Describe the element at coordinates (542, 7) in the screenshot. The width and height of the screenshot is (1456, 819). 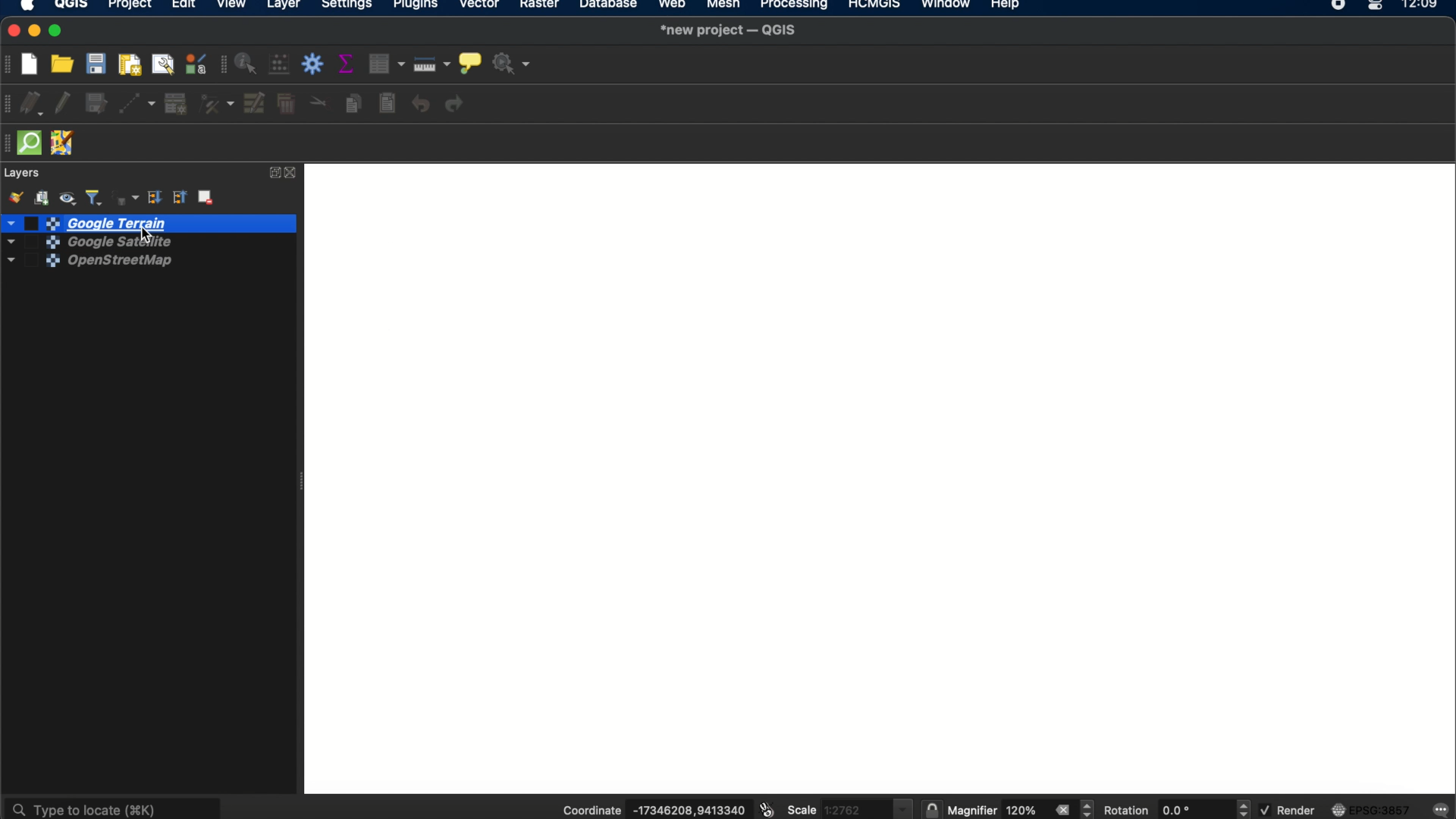
I see `raster` at that location.